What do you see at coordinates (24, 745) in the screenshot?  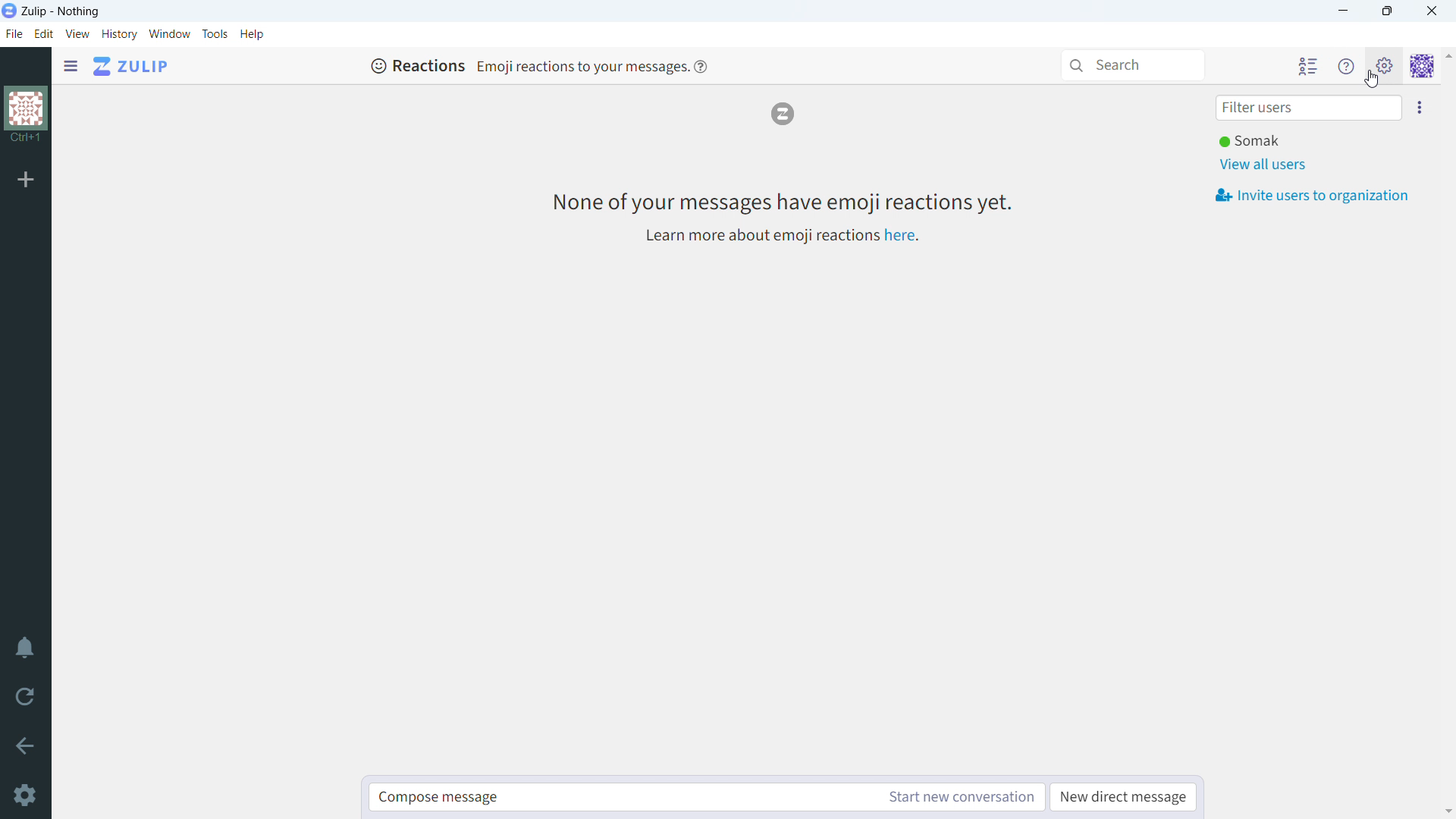 I see `go back` at bounding box center [24, 745].